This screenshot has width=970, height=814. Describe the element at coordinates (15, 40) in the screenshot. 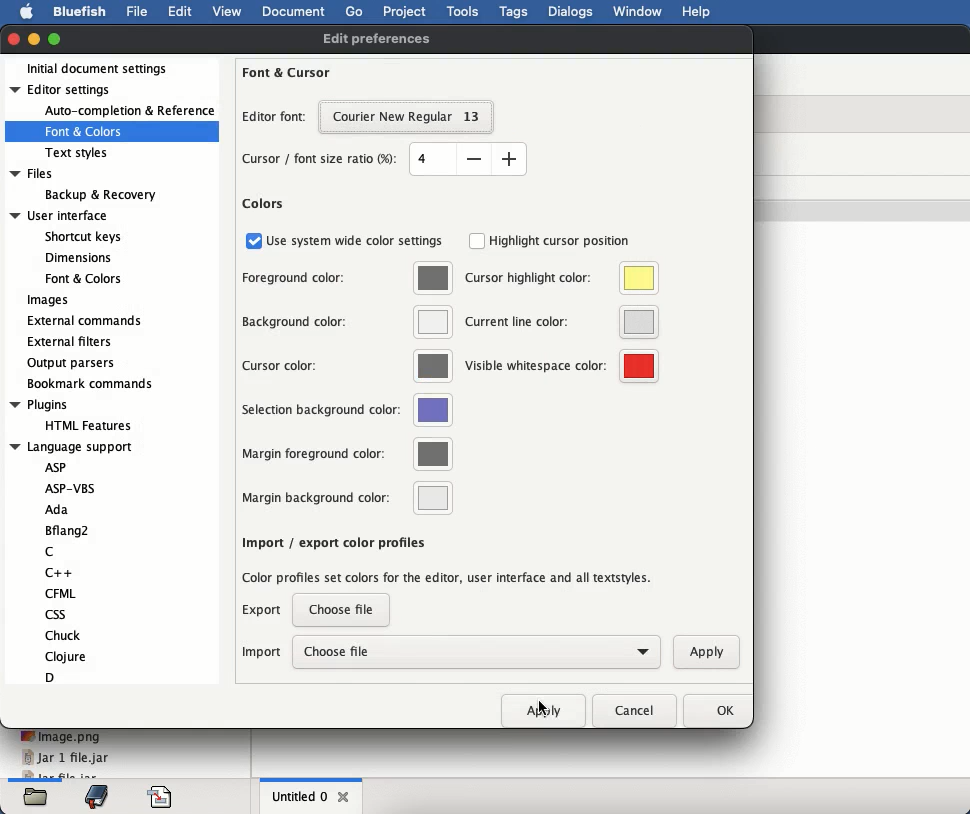

I see `close` at that location.